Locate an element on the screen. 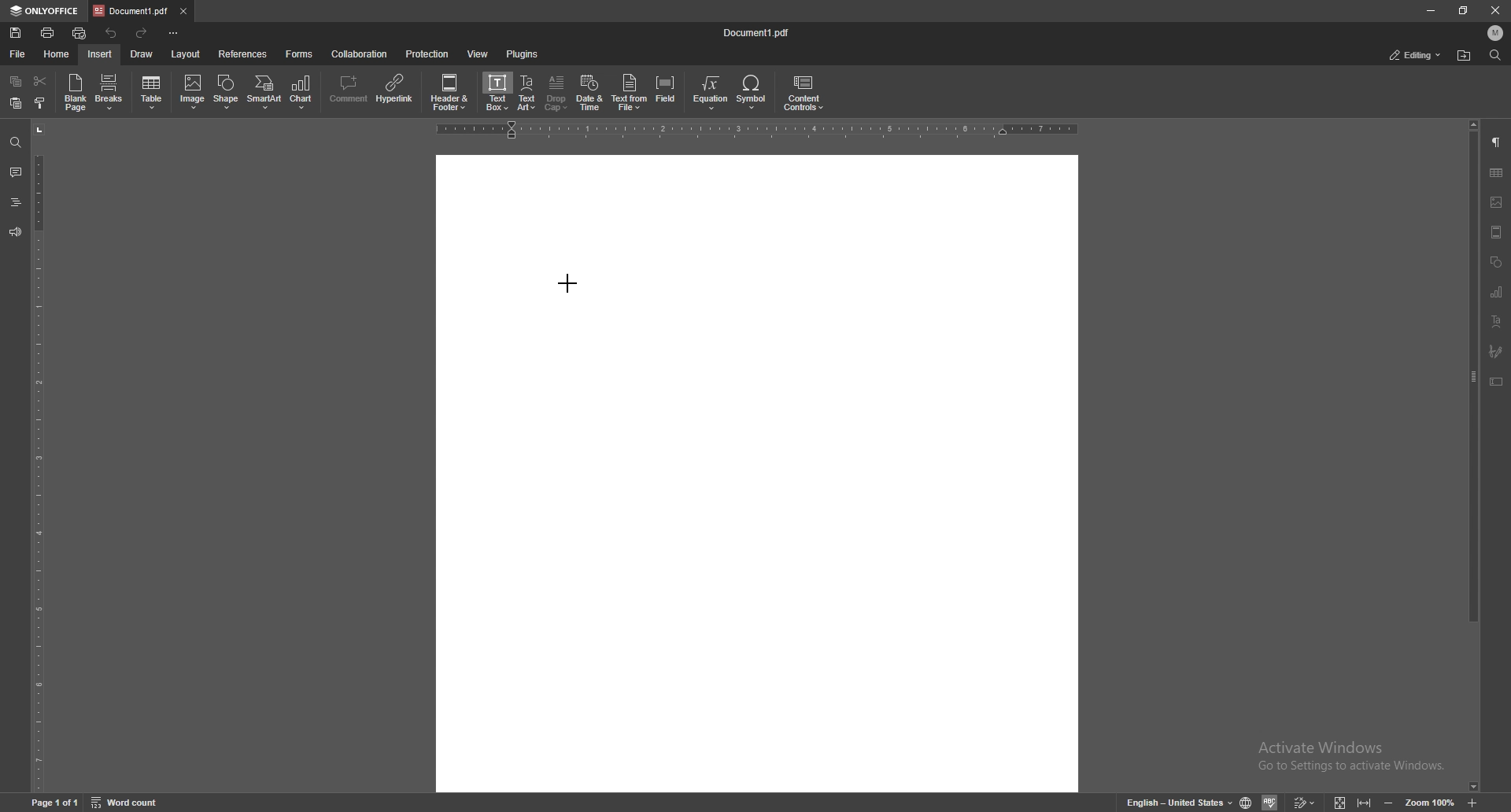  doc is located at coordinates (758, 473).